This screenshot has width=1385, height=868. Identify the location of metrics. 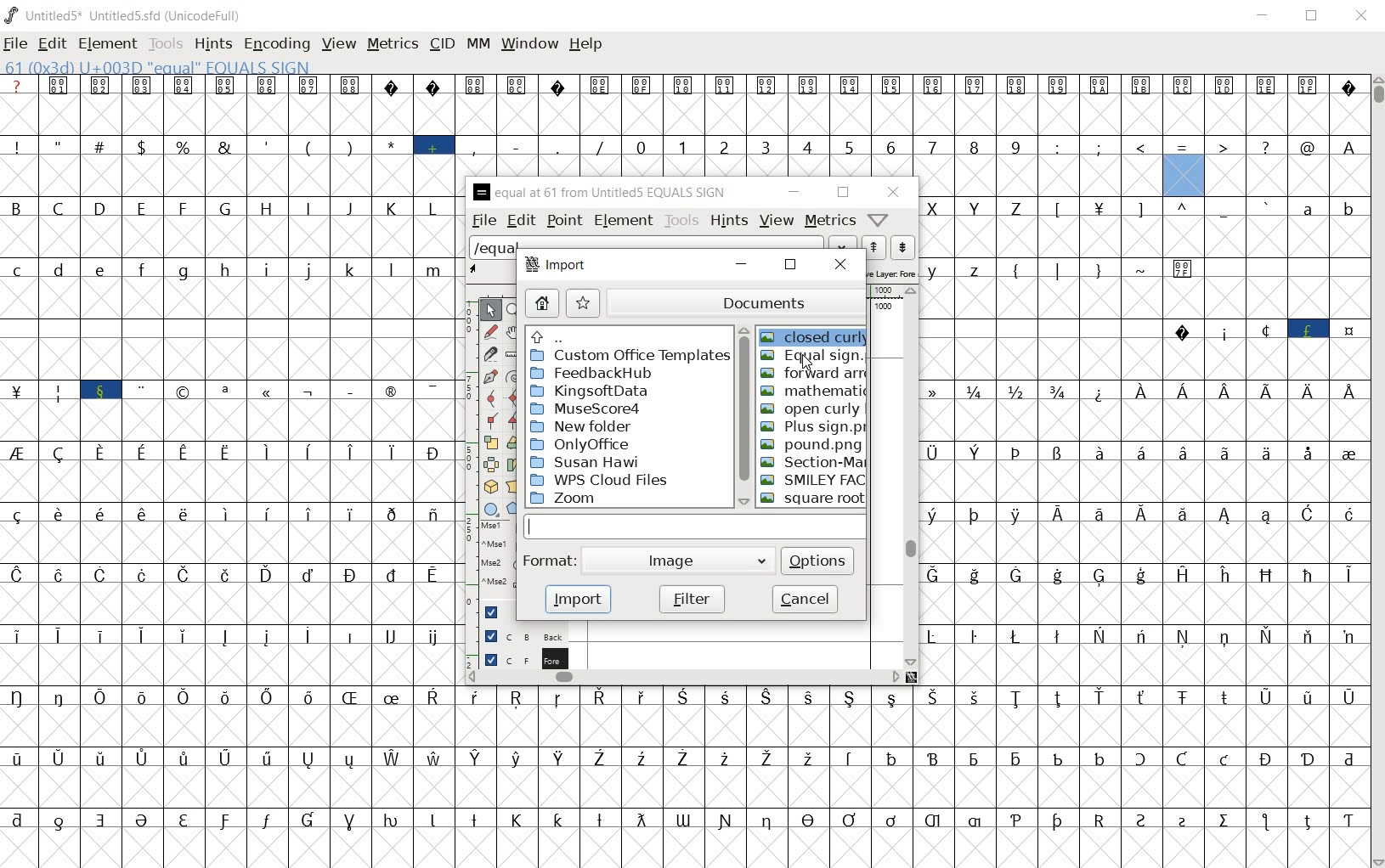
(392, 44).